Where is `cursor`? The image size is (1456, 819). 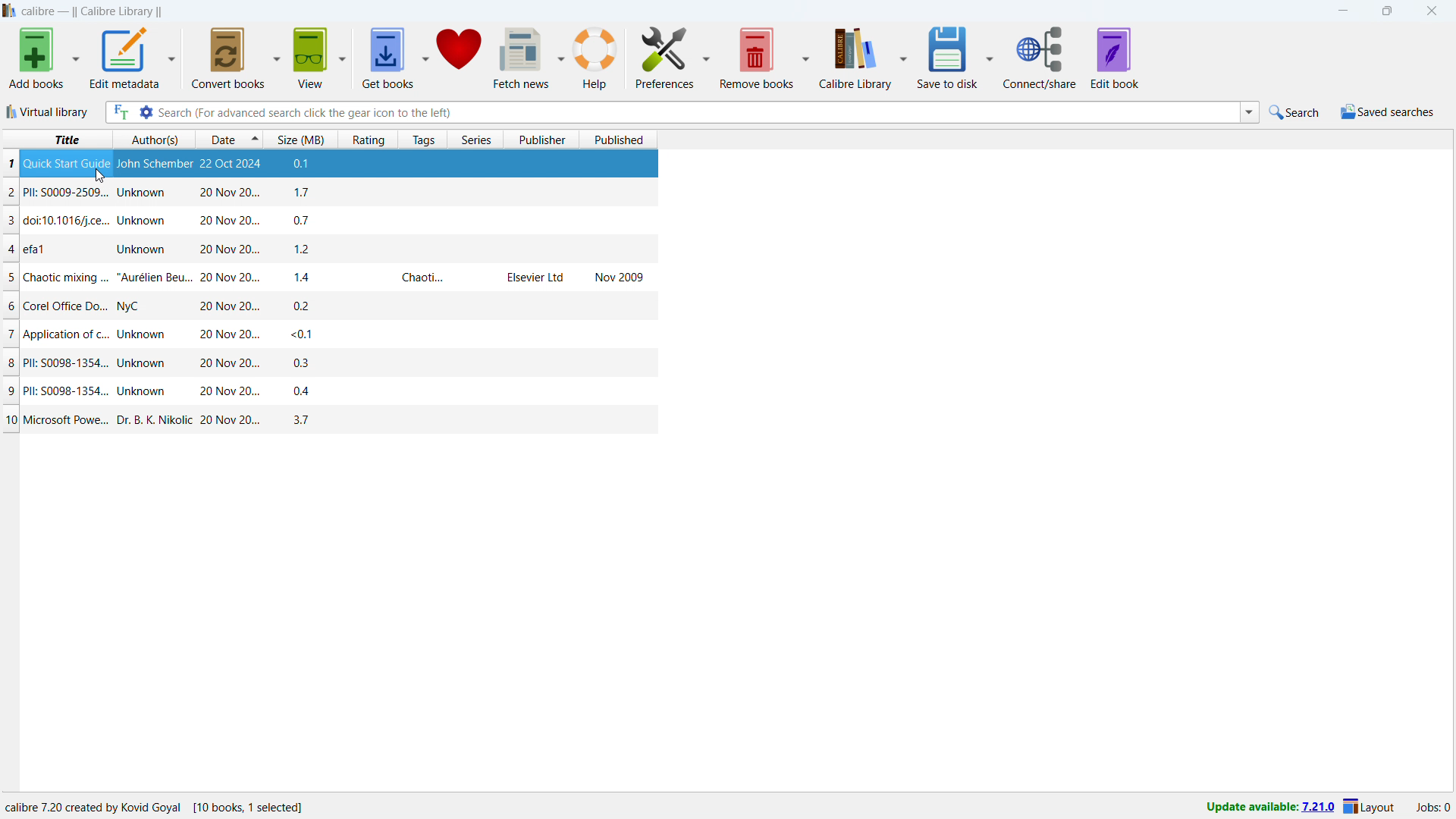
cursor is located at coordinates (100, 175).